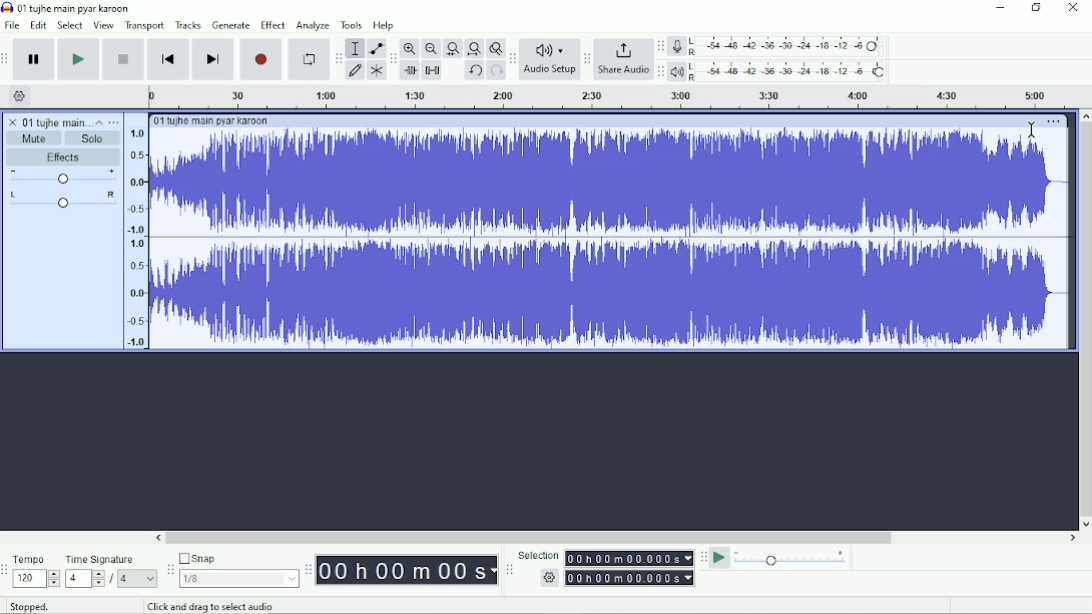 The image size is (1092, 614). What do you see at coordinates (20, 95) in the screenshot?
I see `Timeline options` at bounding box center [20, 95].